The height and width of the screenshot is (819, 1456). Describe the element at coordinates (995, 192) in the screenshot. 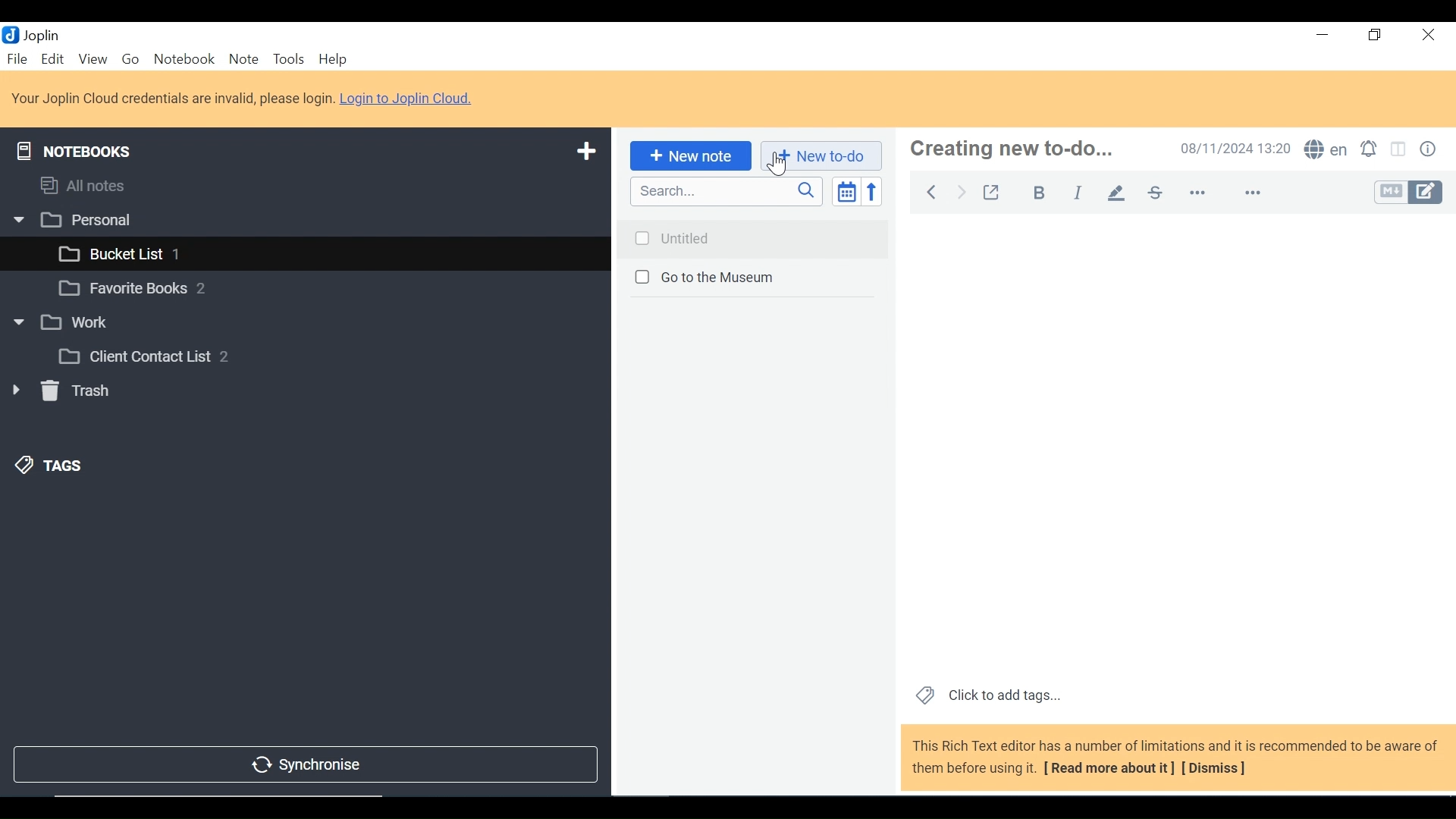

I see `Toggle External editing` at that location.